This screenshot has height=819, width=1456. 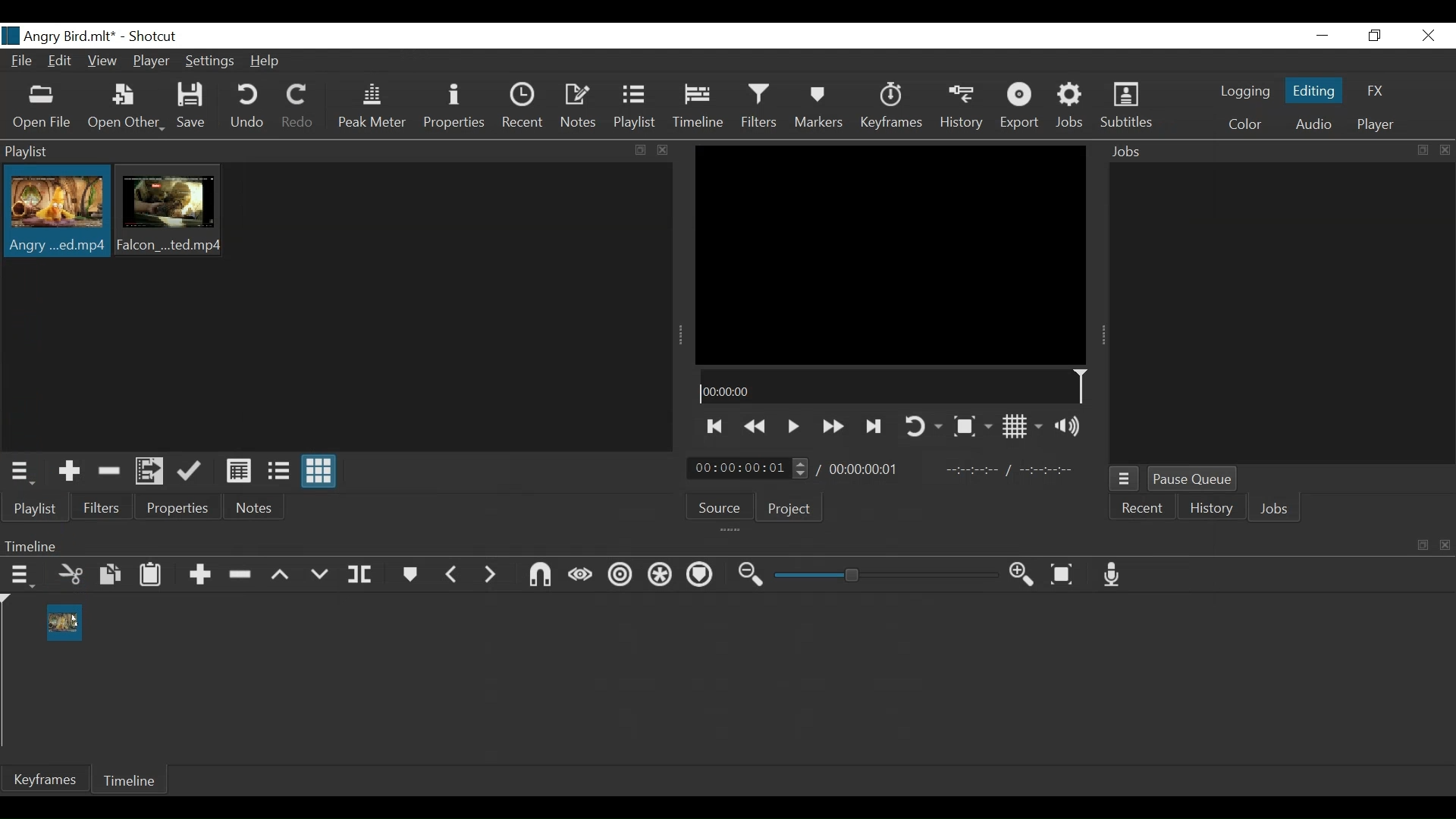 I want to click on Clip, so click(x=169, y=210).